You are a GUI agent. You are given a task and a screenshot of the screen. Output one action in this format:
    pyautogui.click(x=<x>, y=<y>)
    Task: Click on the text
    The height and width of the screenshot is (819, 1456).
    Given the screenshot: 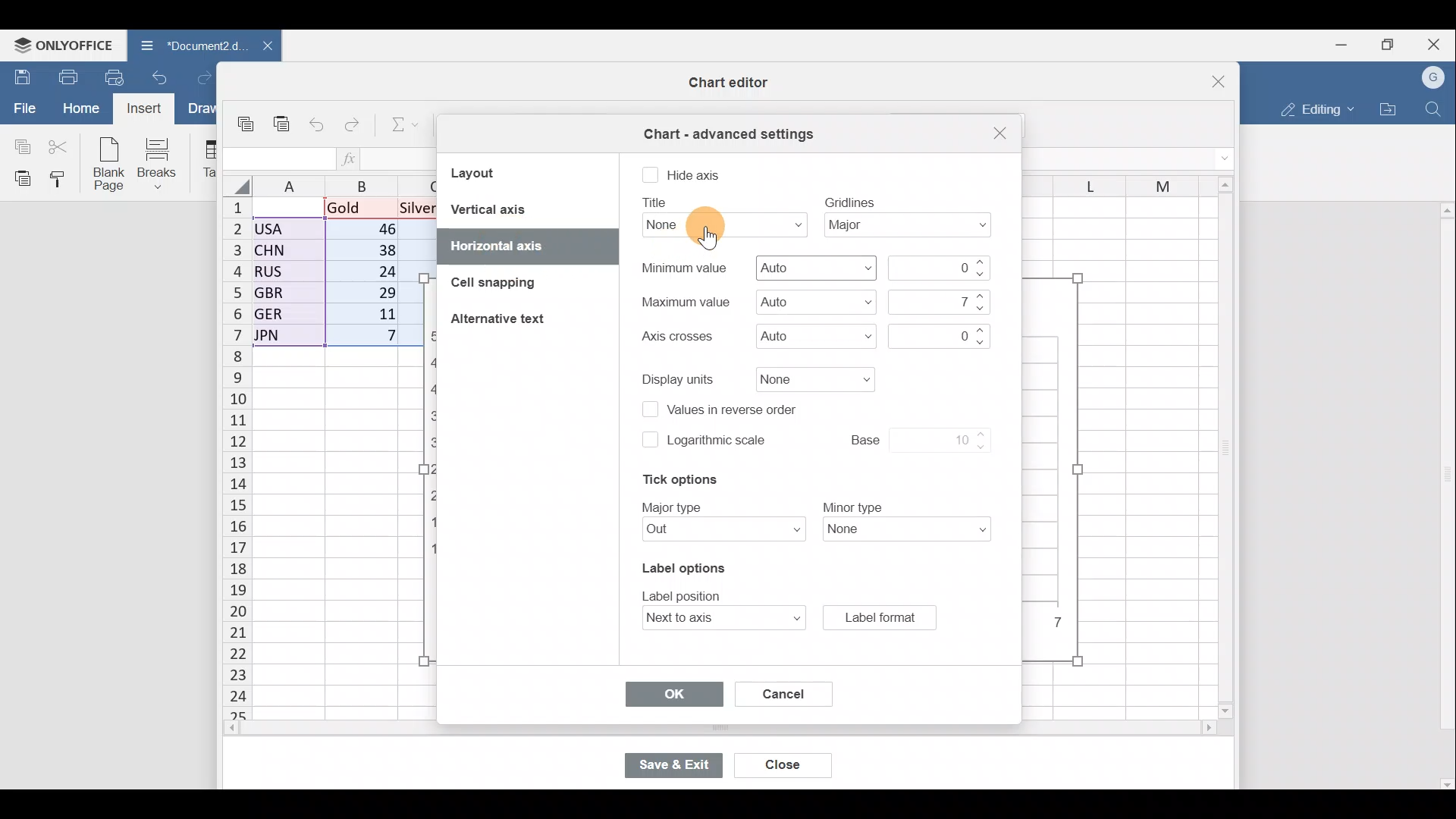 What is the action you would take?
    pyautogui.click(x=674, y=506)
    